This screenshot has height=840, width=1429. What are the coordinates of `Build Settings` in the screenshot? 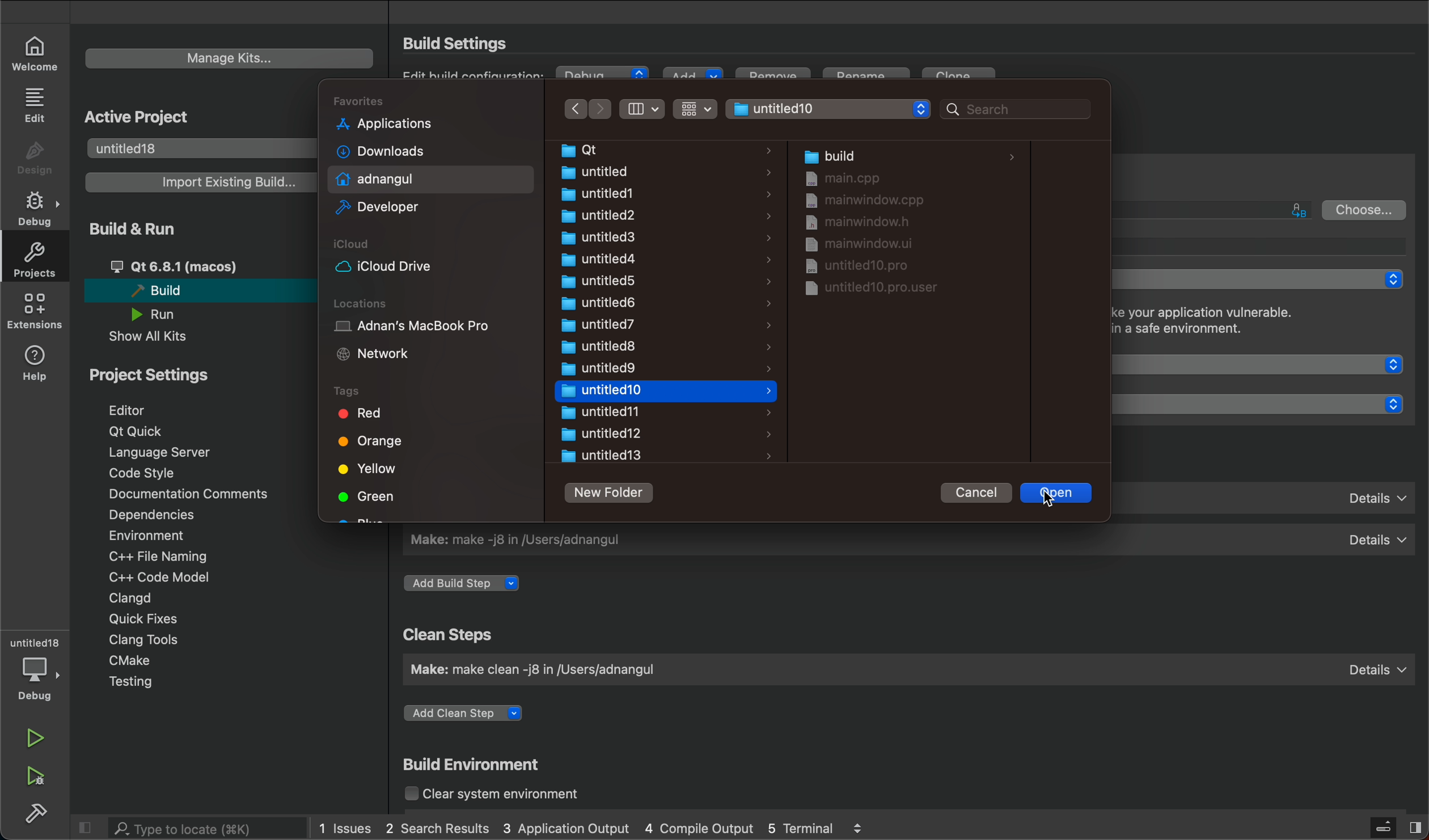 It's located at (458, 44).